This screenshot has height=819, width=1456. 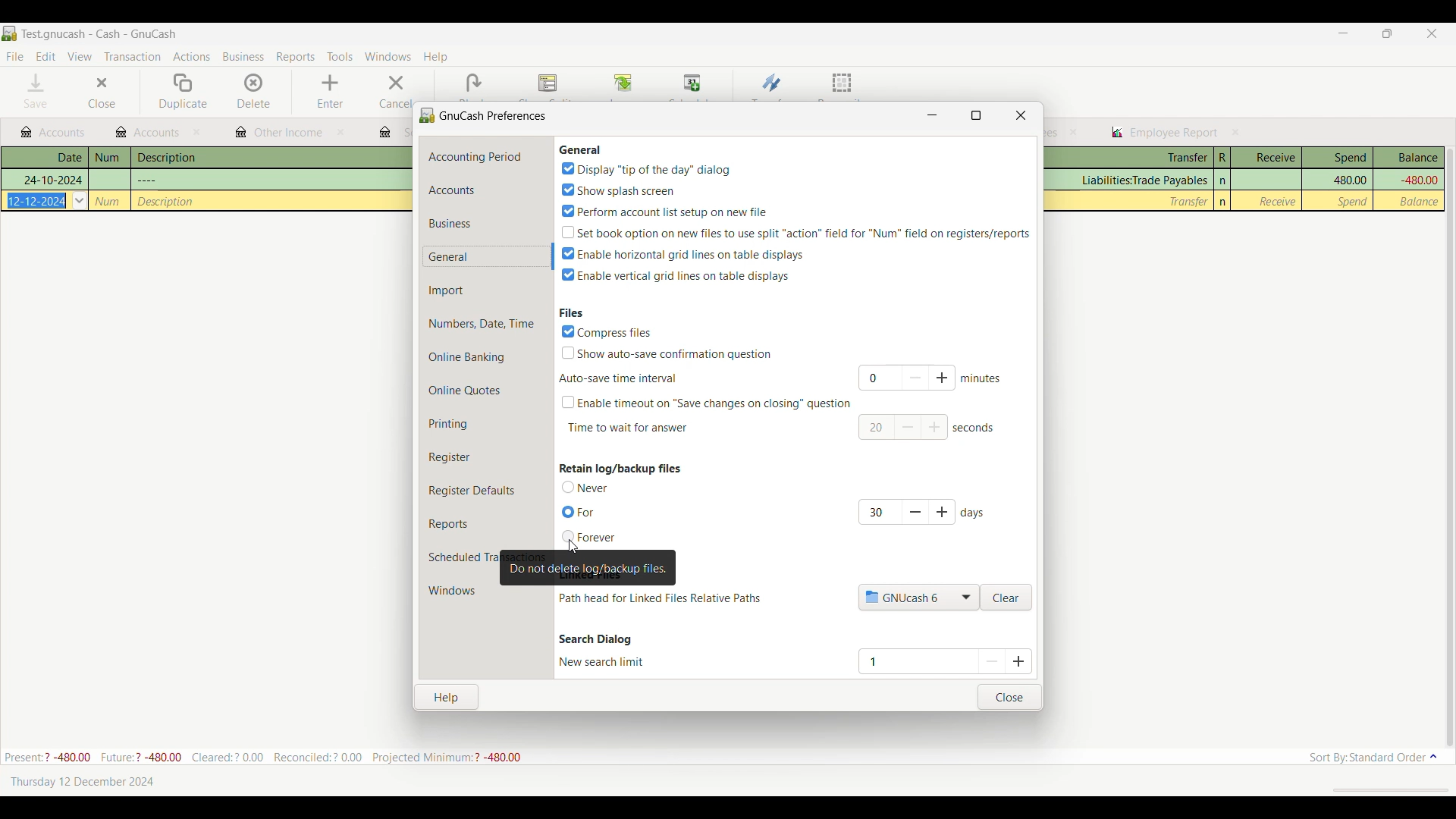 What do you see at coordinates (705, 403) in the screenshot?
I see `Toggle option under sub-section` at bounding box center [705, 403].